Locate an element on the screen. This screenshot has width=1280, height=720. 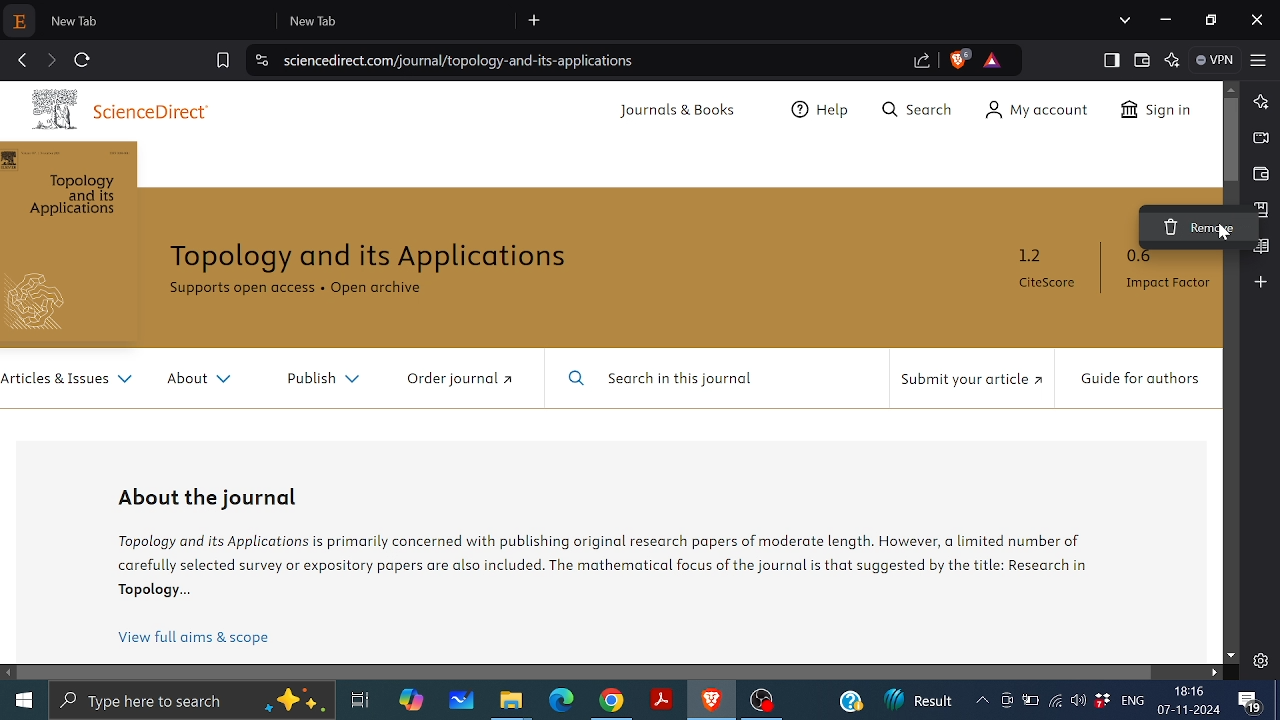
Start is located at coordinates (20, 701).